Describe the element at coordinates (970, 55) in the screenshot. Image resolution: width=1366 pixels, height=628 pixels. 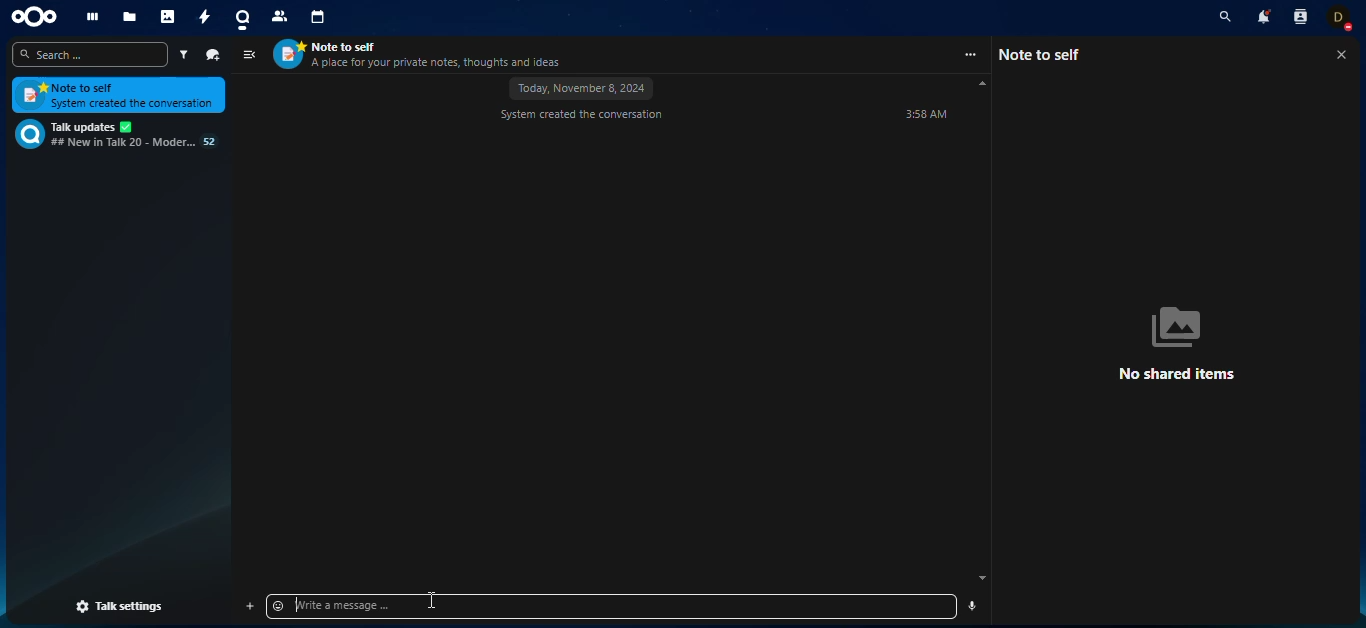
I see `more` at that location.